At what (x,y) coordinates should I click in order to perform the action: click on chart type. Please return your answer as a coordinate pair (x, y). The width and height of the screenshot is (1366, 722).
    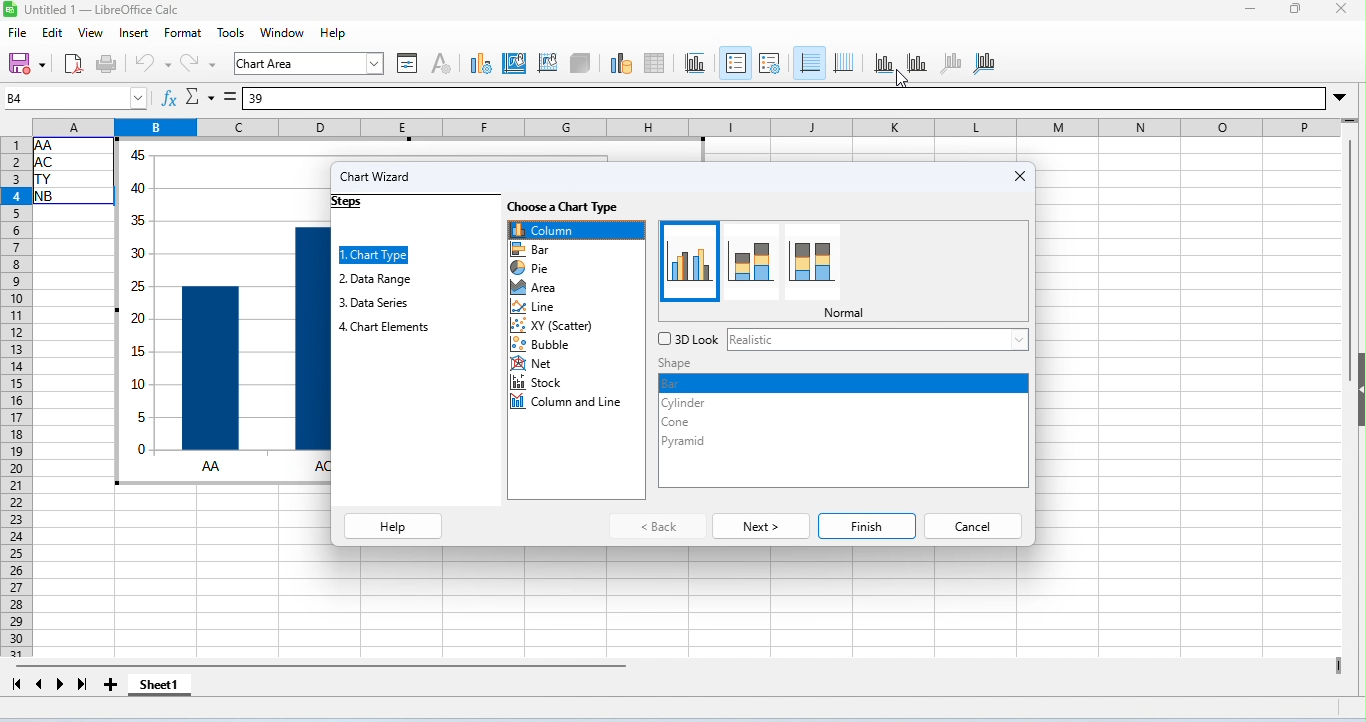
    Looking at the image, I should click on (377, 256).